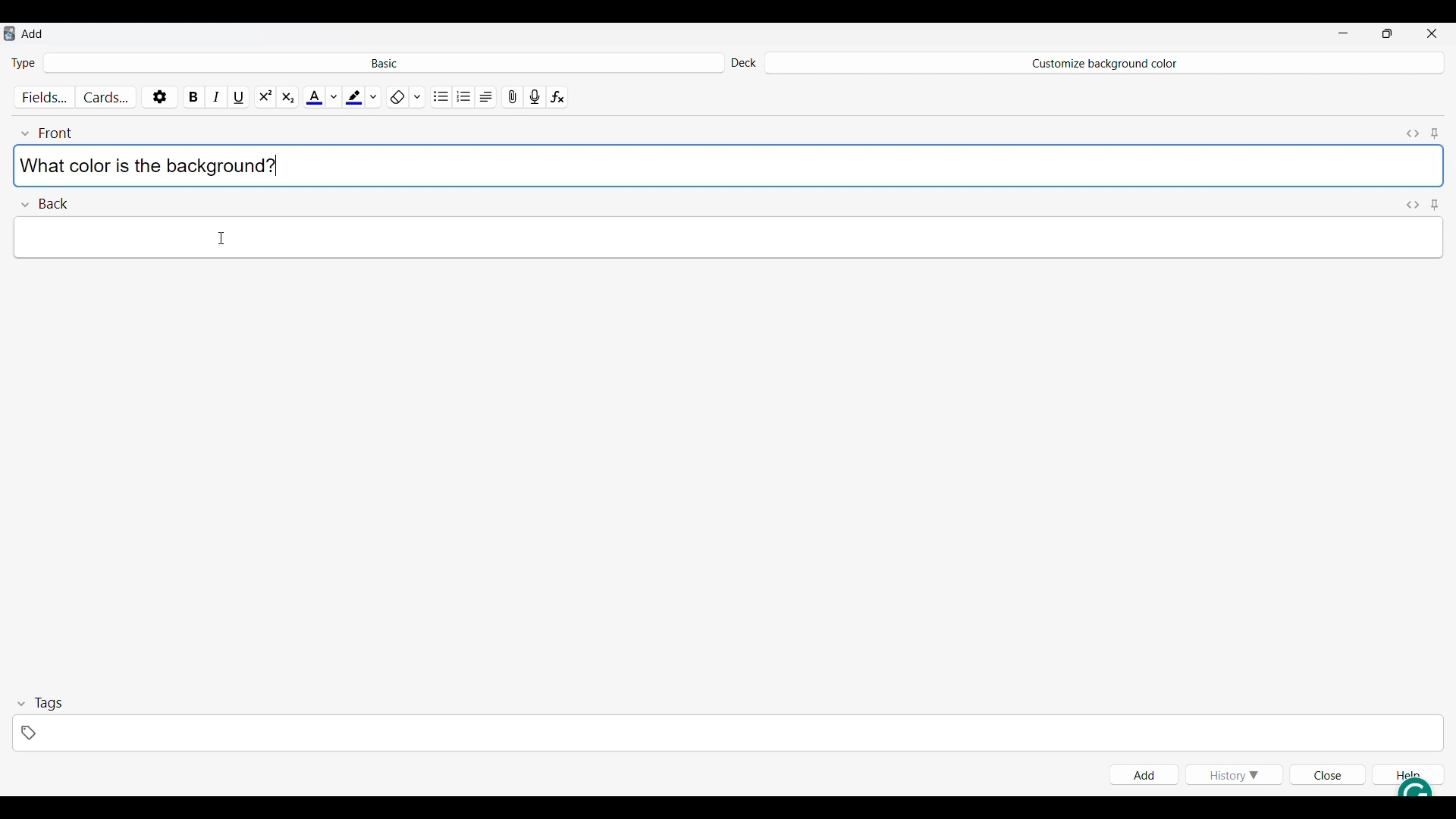 The width and height of the screenshot is (1456, 819). What do you see at coordinates (265, 95) in the screenshot?
I see `Super script` at bounding box center [265, 95].